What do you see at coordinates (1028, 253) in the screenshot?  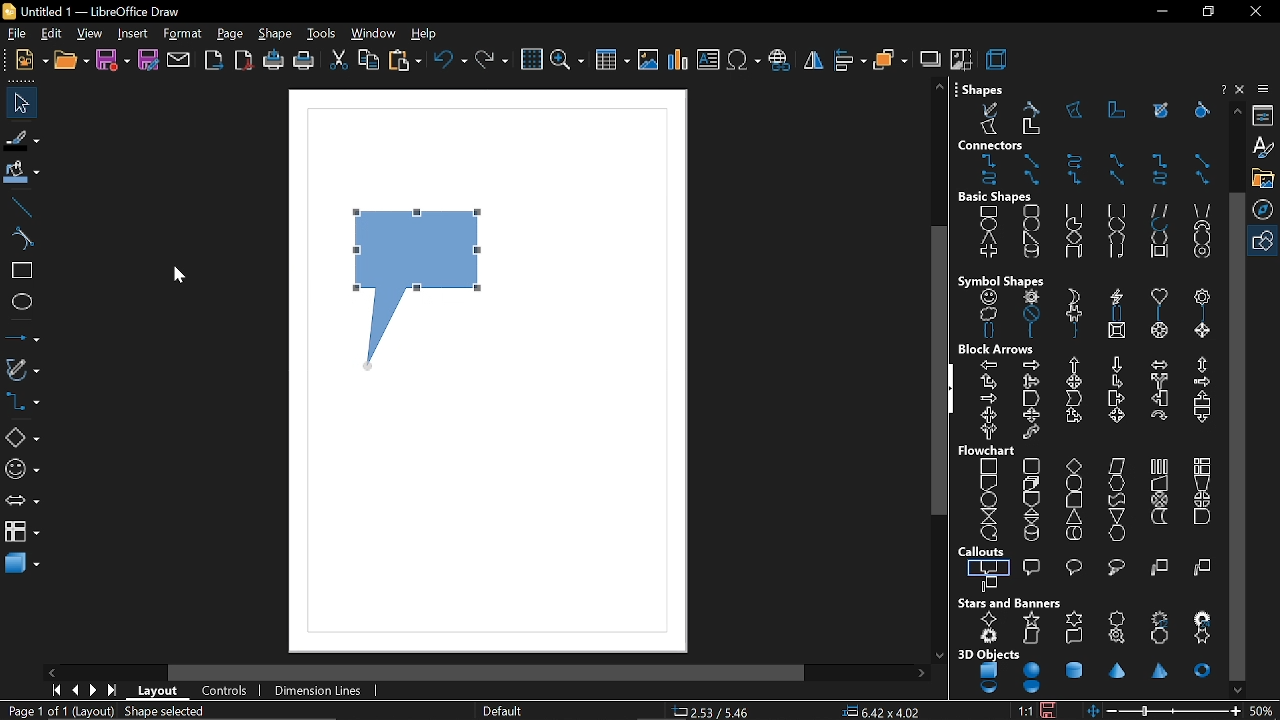 I see `cylinder` at bounding box center [1028, 253].